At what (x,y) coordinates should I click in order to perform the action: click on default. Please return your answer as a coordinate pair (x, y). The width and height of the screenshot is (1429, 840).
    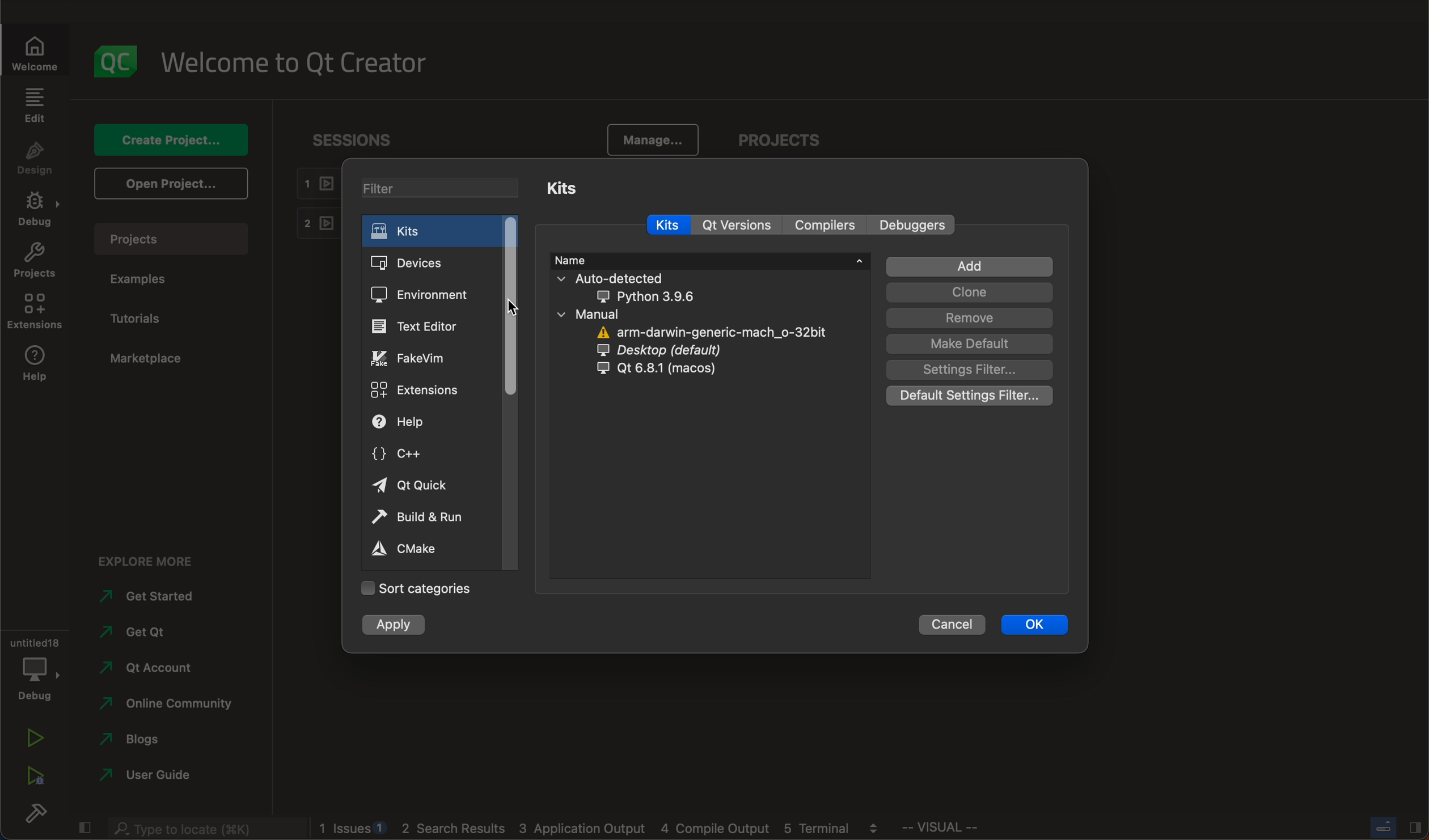
    Looking at the image, I should click on (969, 393).